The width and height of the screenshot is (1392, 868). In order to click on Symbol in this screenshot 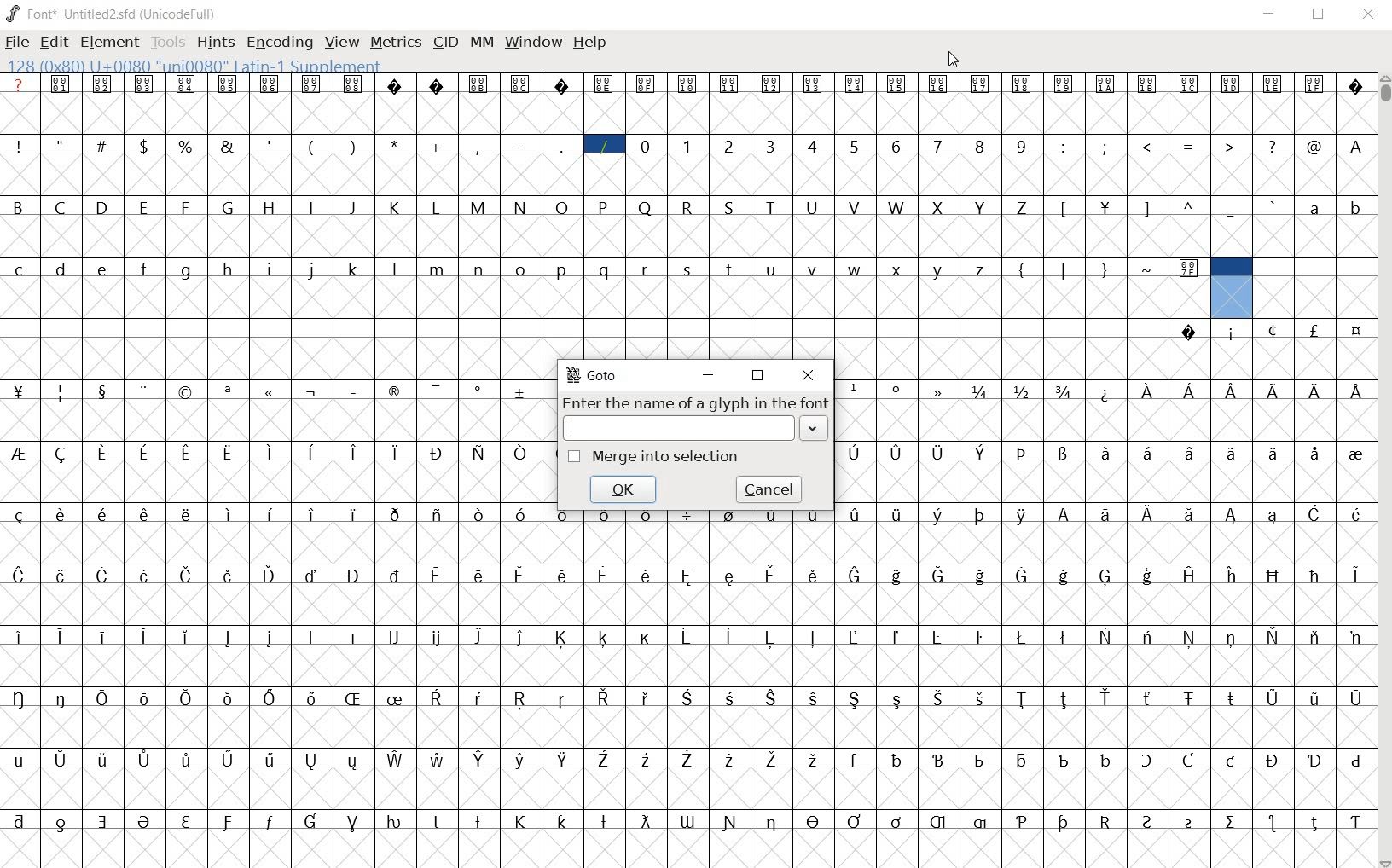, I will do `click(521, 83)`.